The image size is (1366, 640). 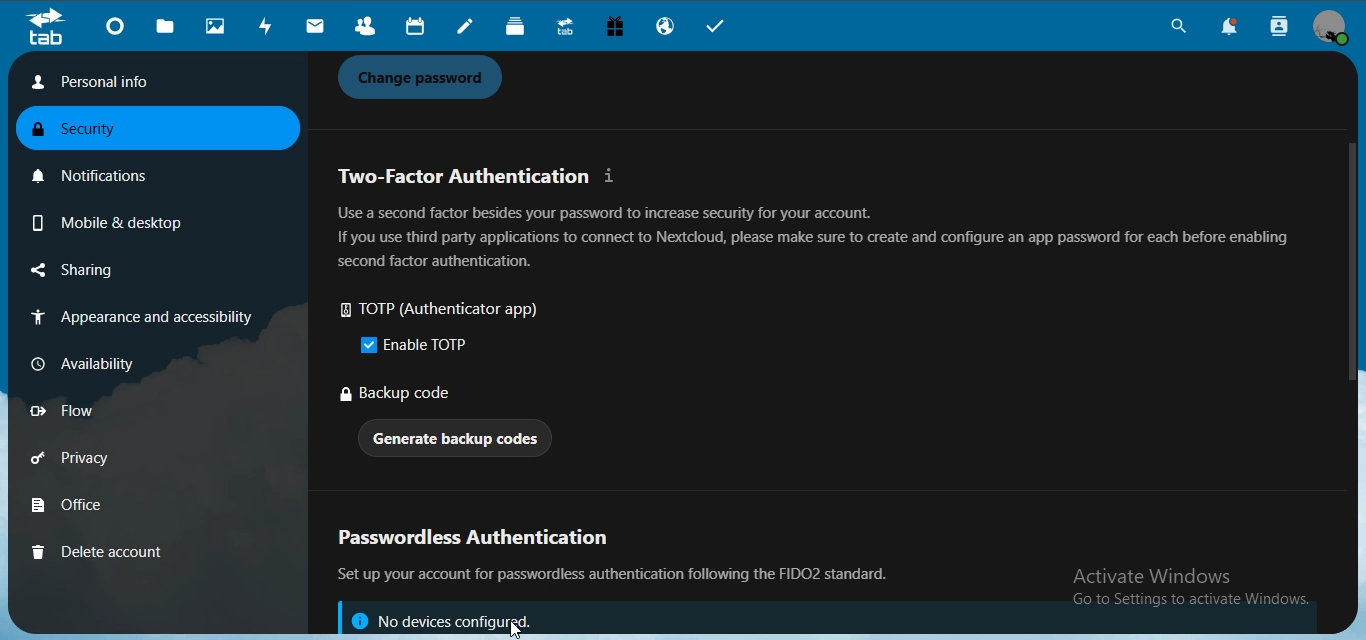 What do you see at coordinates (418, 345) in the screenshot?
I see `enable TOTP` at bounding box center [418, 345].